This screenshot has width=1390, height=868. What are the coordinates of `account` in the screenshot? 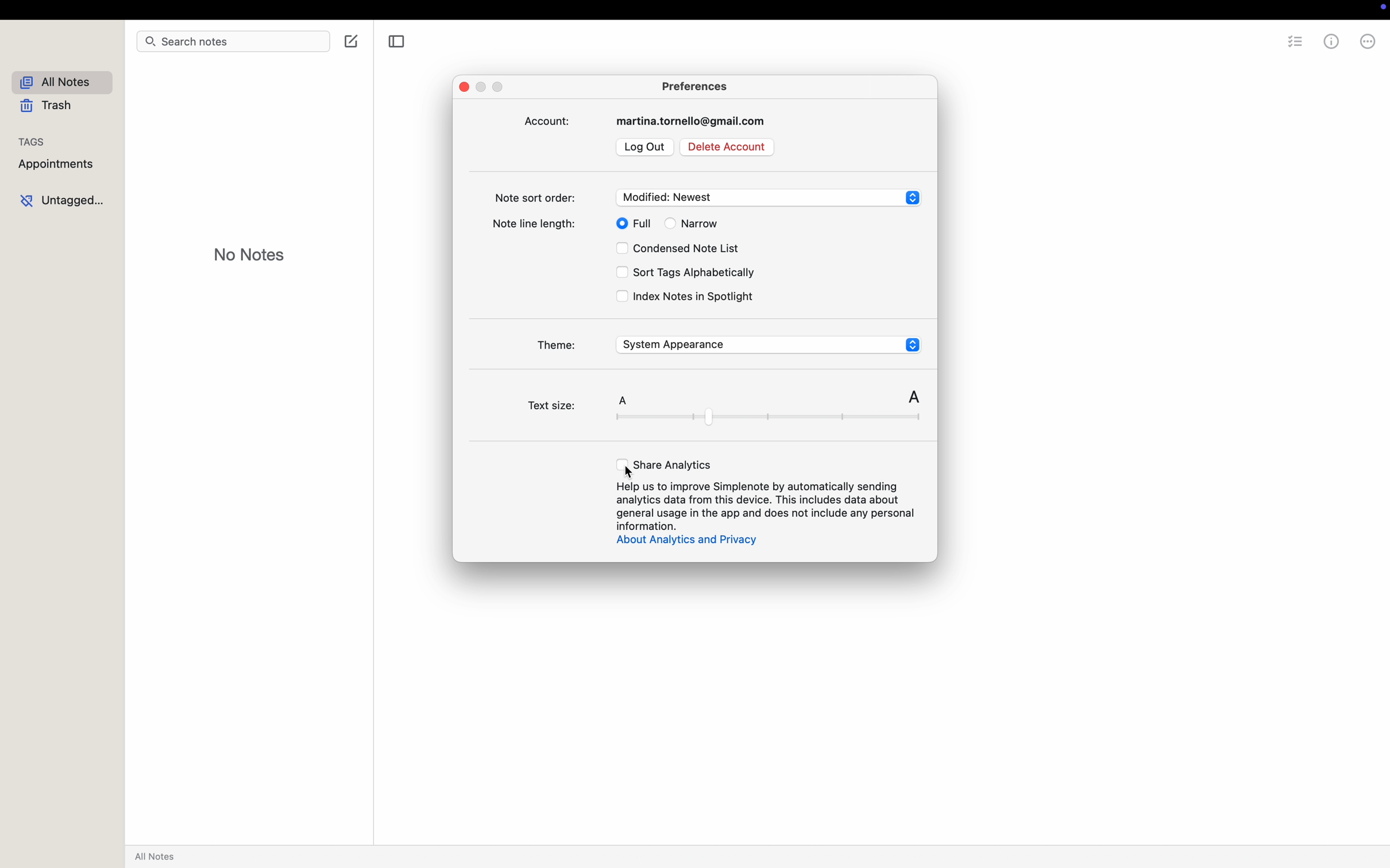 It's located at (650, 115).